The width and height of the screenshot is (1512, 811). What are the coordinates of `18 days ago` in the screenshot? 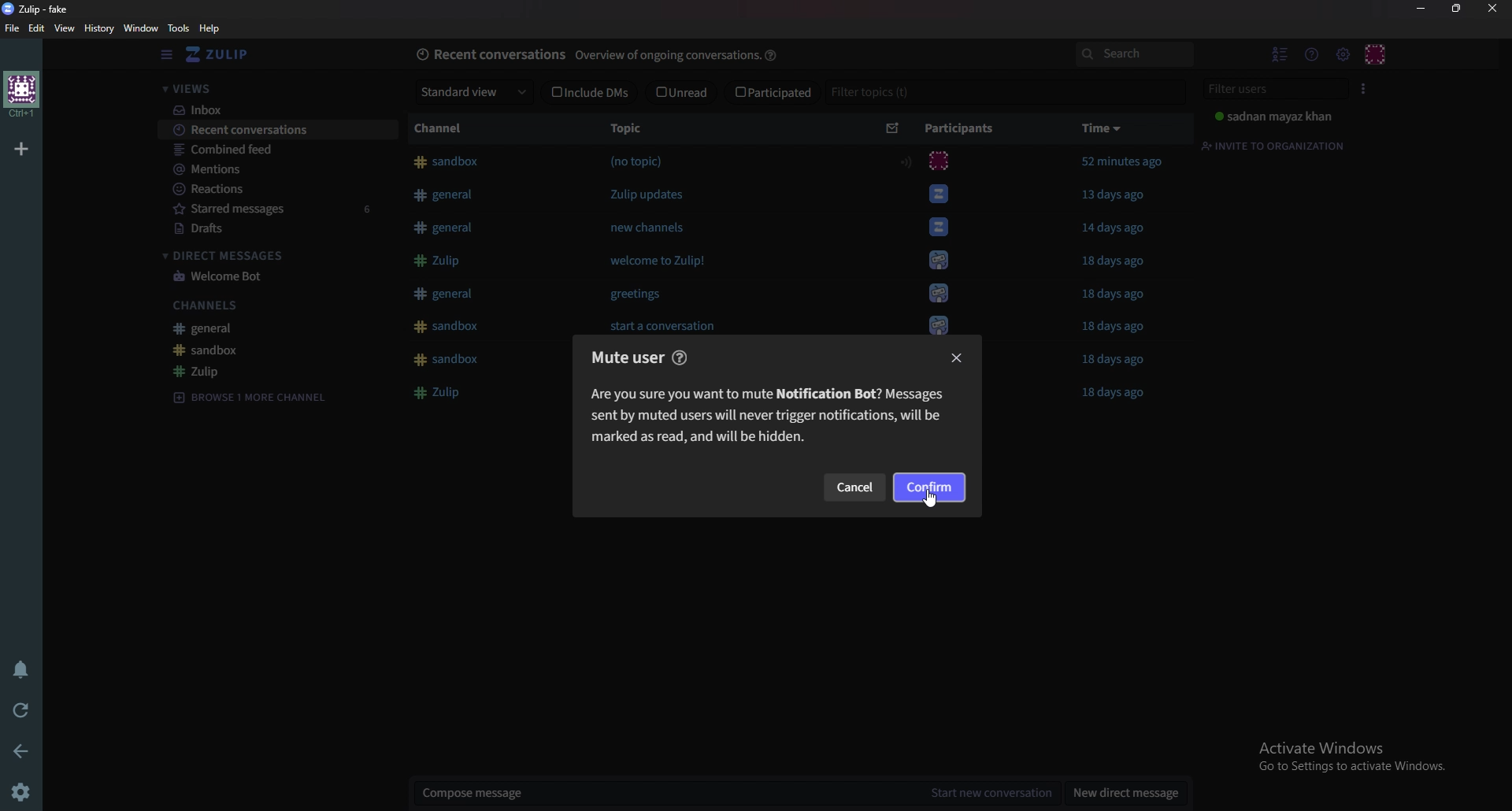 It's located at (1112, 360).